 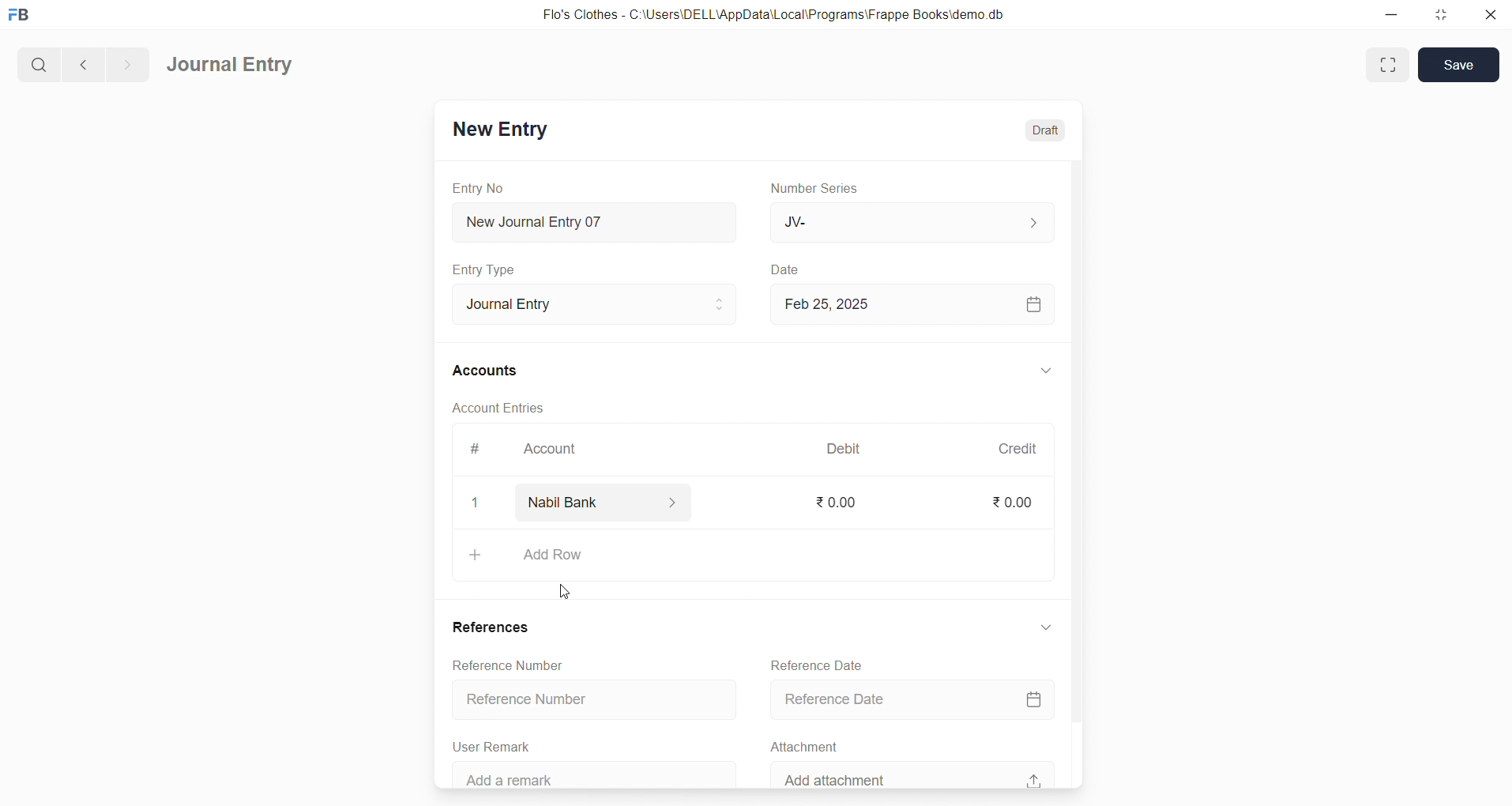 I want to click on Number Series, so click(x=819, y=189).